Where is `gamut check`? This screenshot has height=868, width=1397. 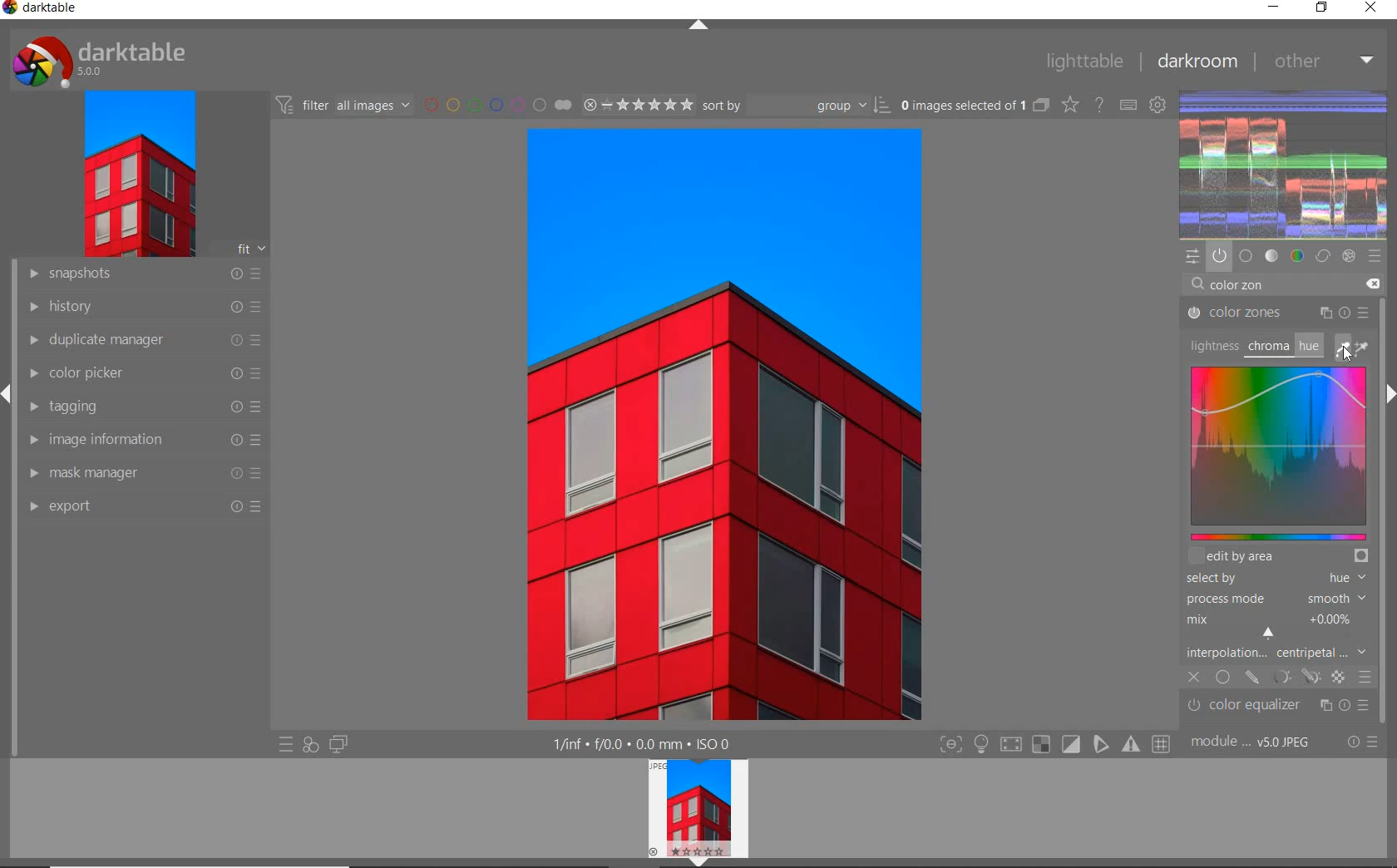
gamut check is located at coordinates (1039, 744).